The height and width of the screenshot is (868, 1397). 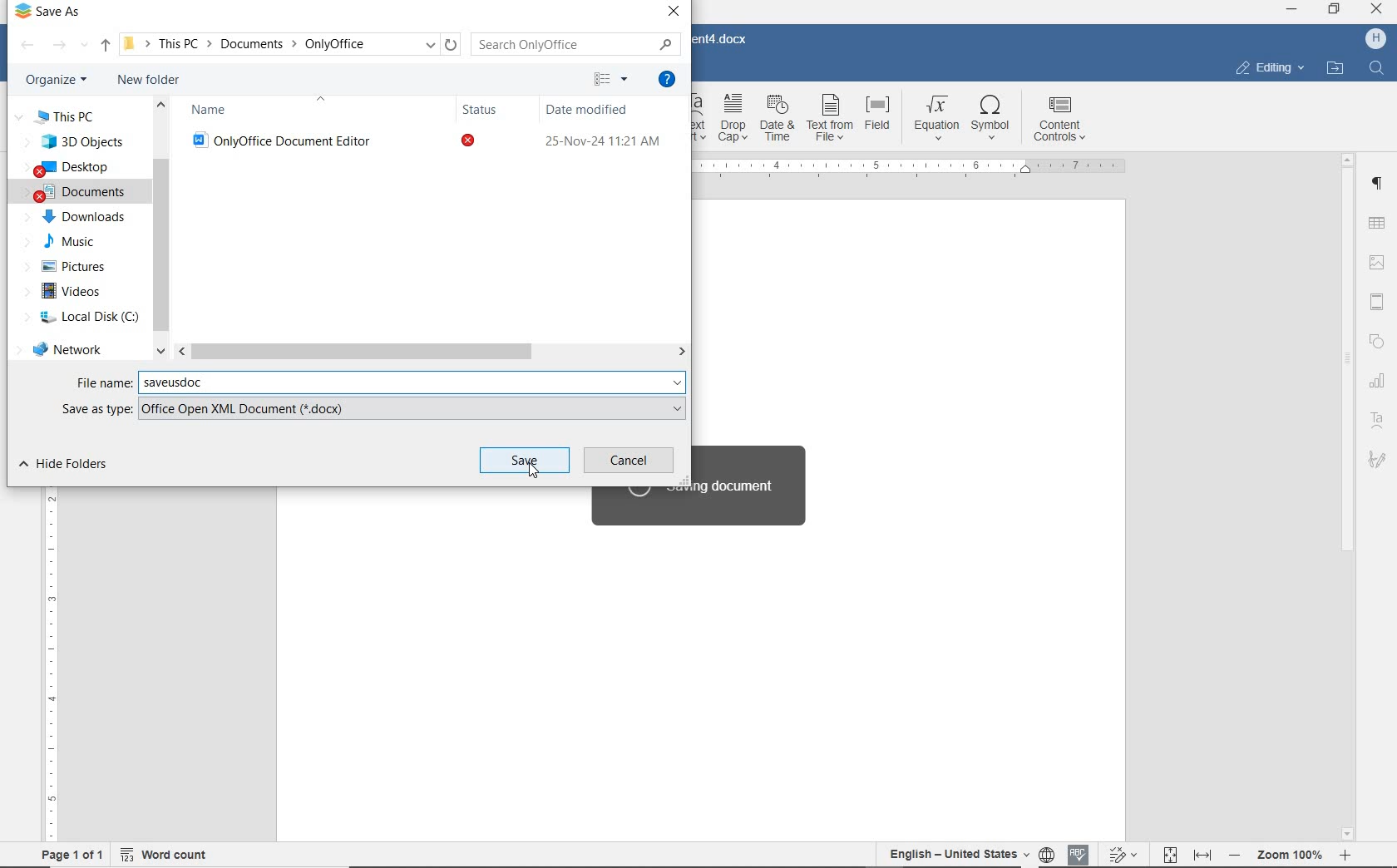 I want to click on DOWNLOADS, so click(x=74, y=218).